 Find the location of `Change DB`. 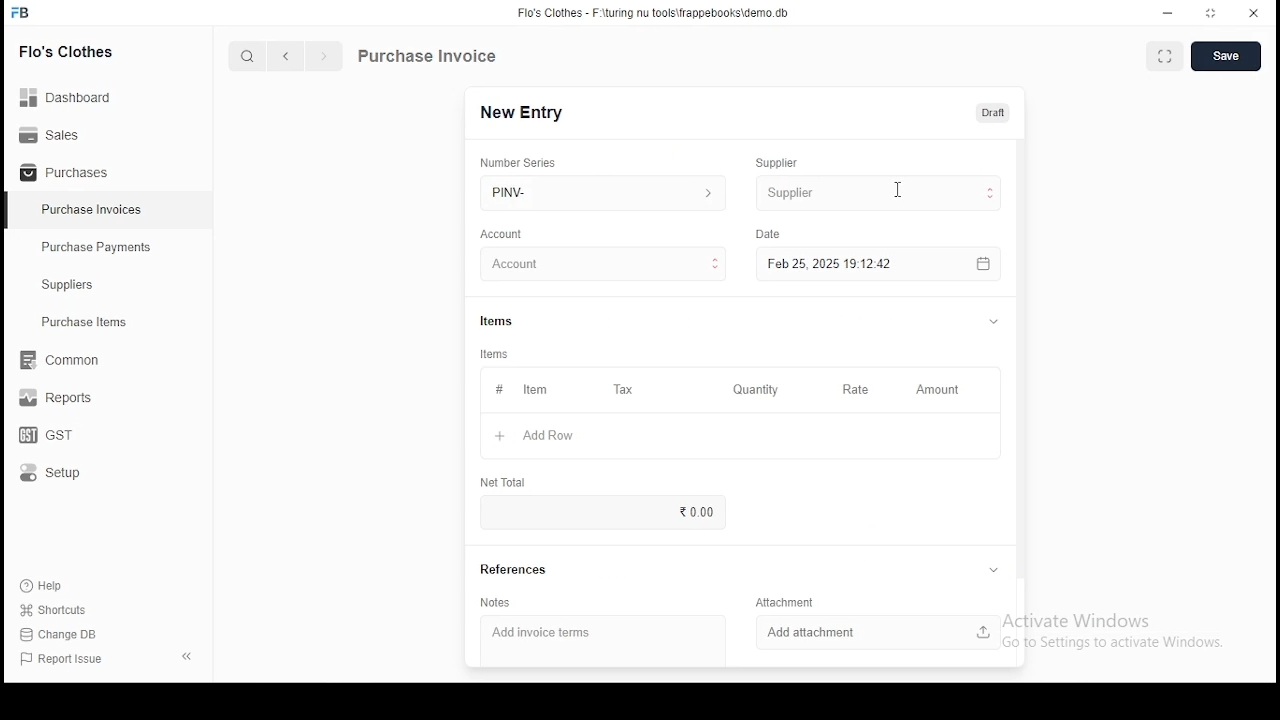

Change DB is located at coordinates (65, 635).